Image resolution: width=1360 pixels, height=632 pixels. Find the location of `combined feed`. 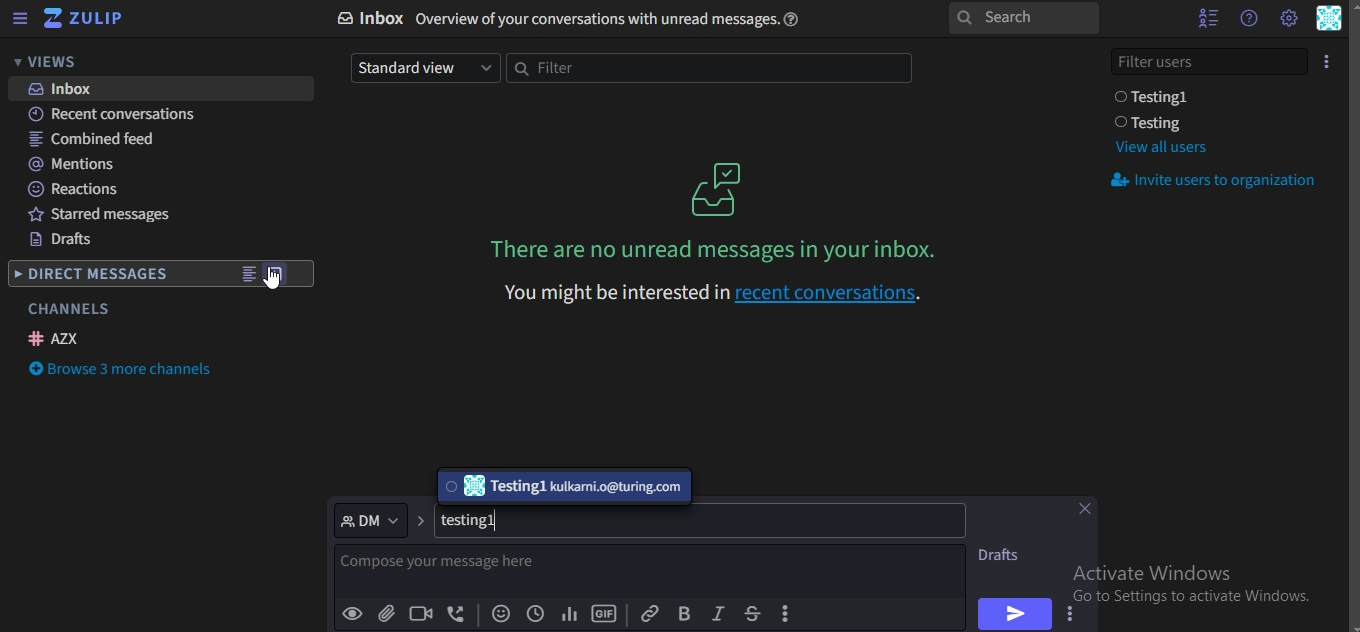

combined feed is located at coordinates (95, 140).